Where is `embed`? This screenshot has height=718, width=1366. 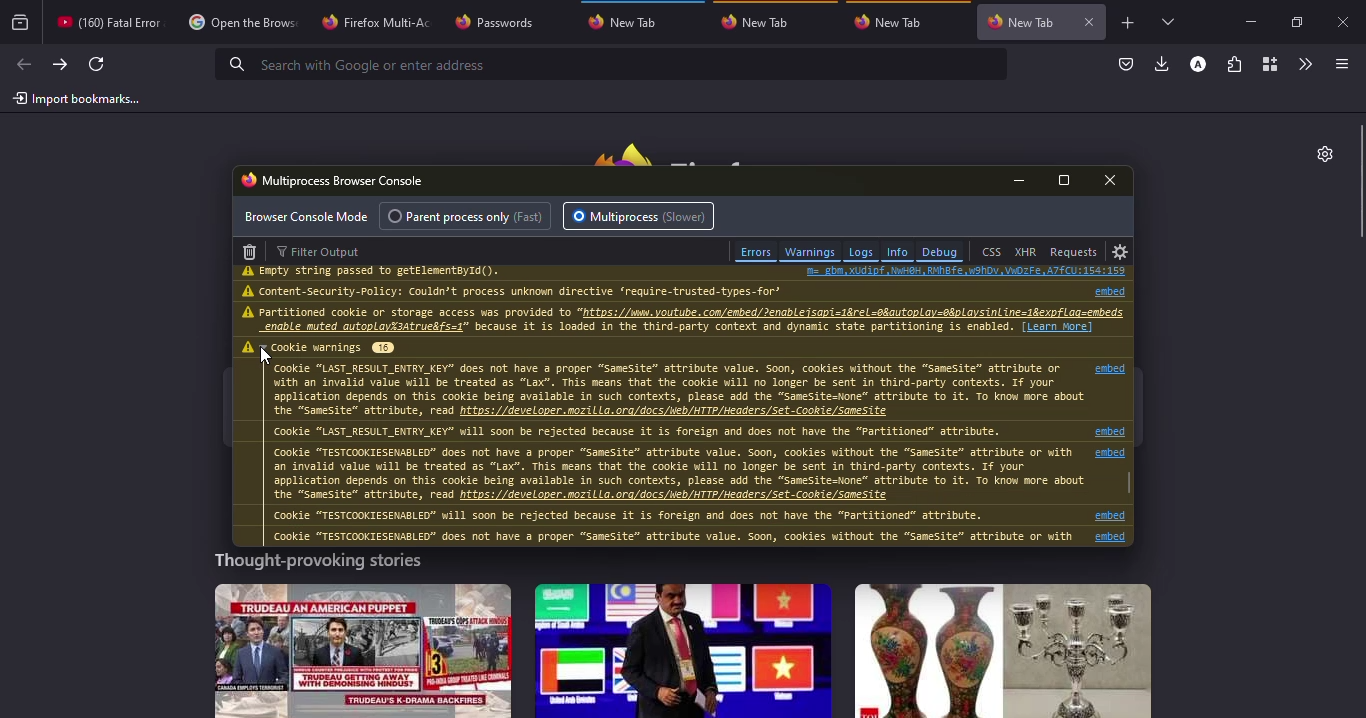 embed is located at coordinates (1102, 290).